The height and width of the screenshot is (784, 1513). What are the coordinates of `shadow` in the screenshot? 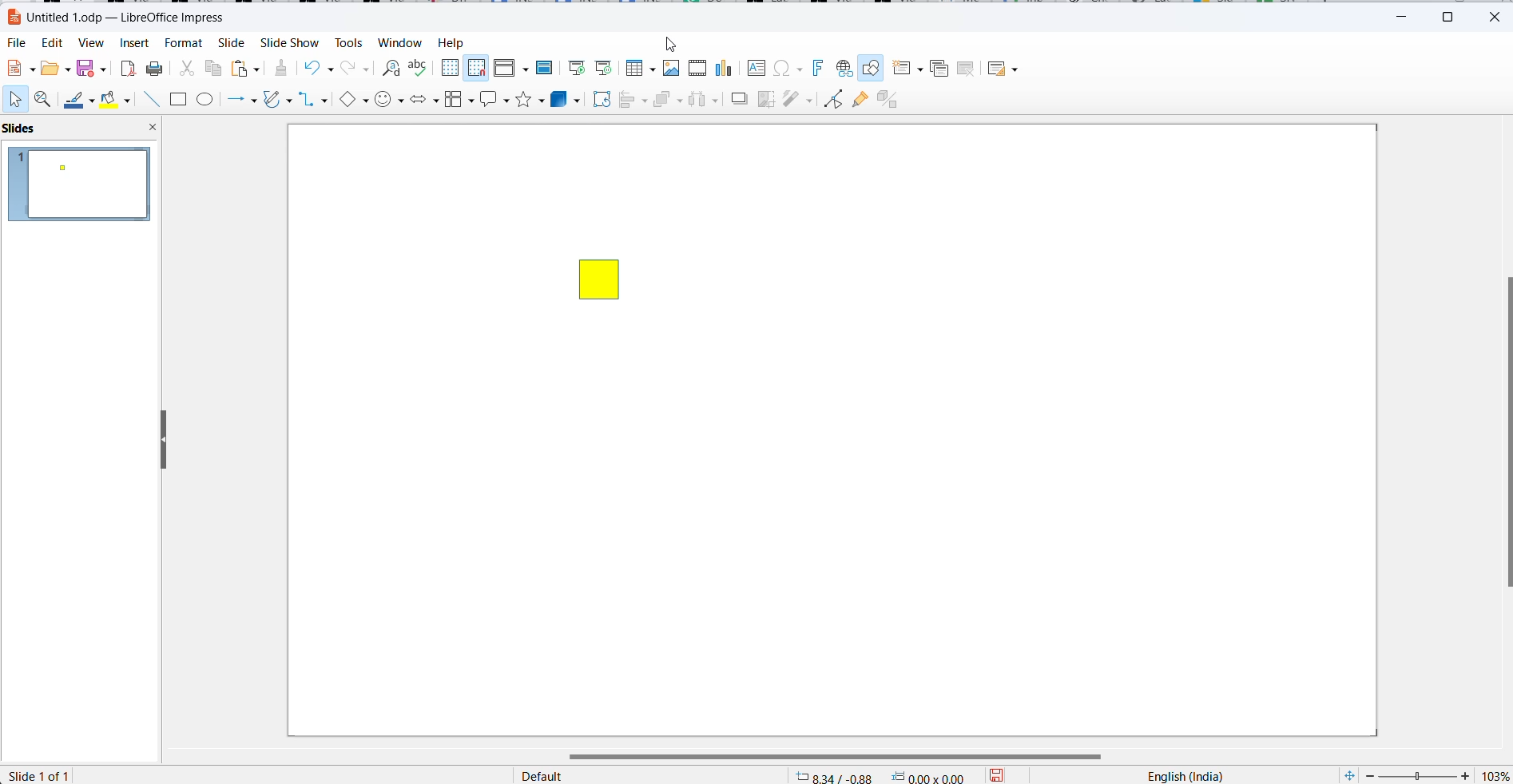 It's located at (738, 101).